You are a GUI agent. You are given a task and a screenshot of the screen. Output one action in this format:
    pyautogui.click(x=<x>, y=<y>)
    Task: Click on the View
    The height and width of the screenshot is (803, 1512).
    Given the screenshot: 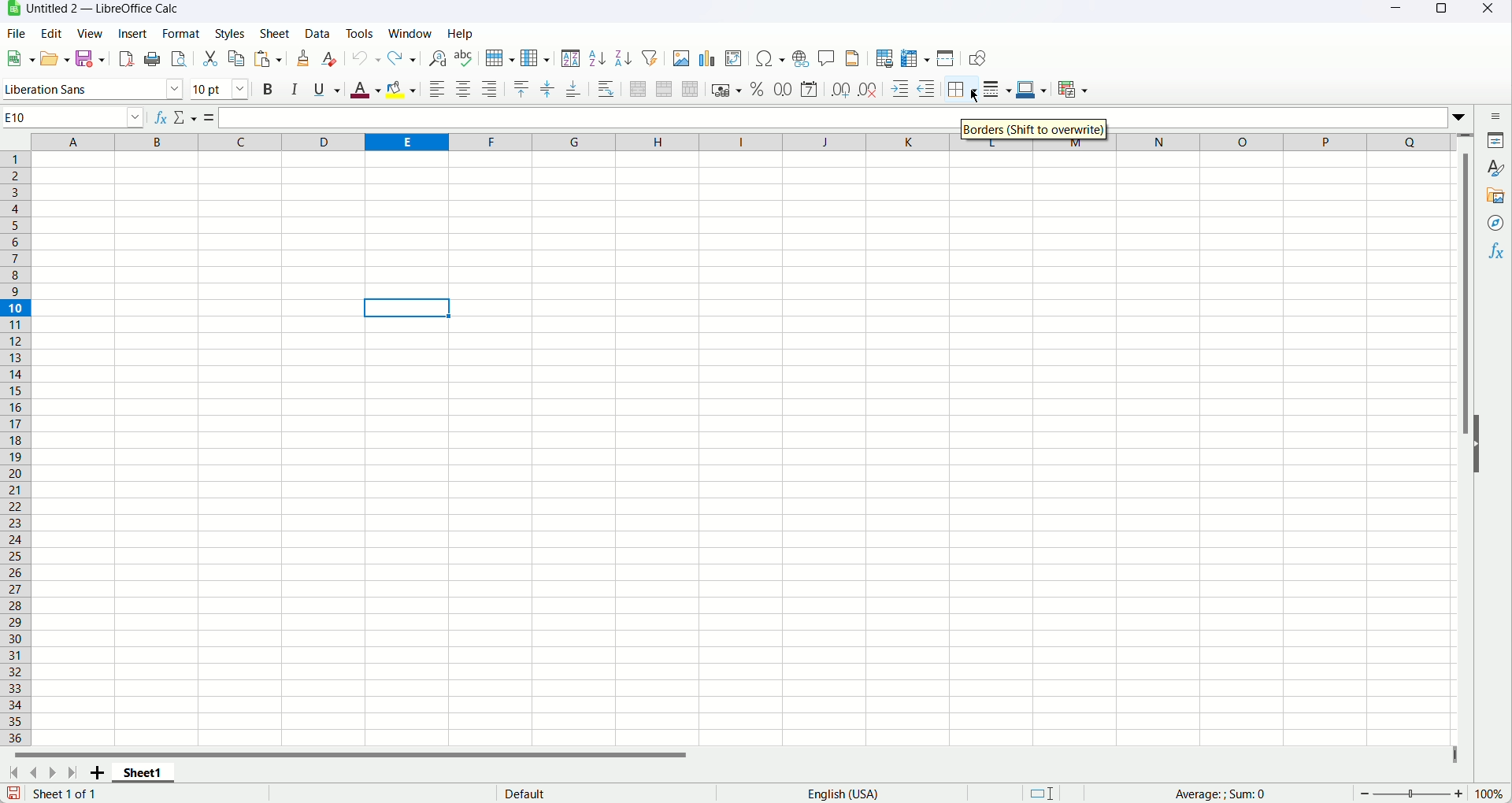 What is the action you would take?
    pyautogui.click(x=89, y=33)
    